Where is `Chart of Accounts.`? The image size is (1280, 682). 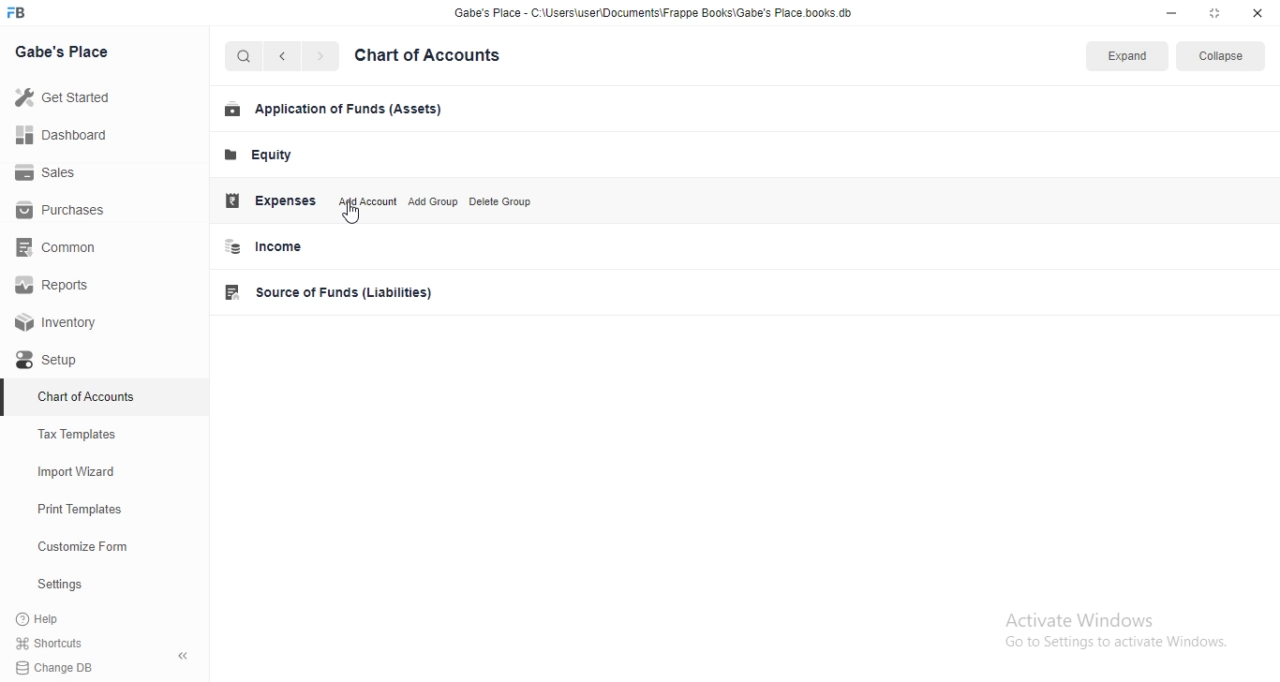 Chart of Accounts. is located at coordinates (86, 393).